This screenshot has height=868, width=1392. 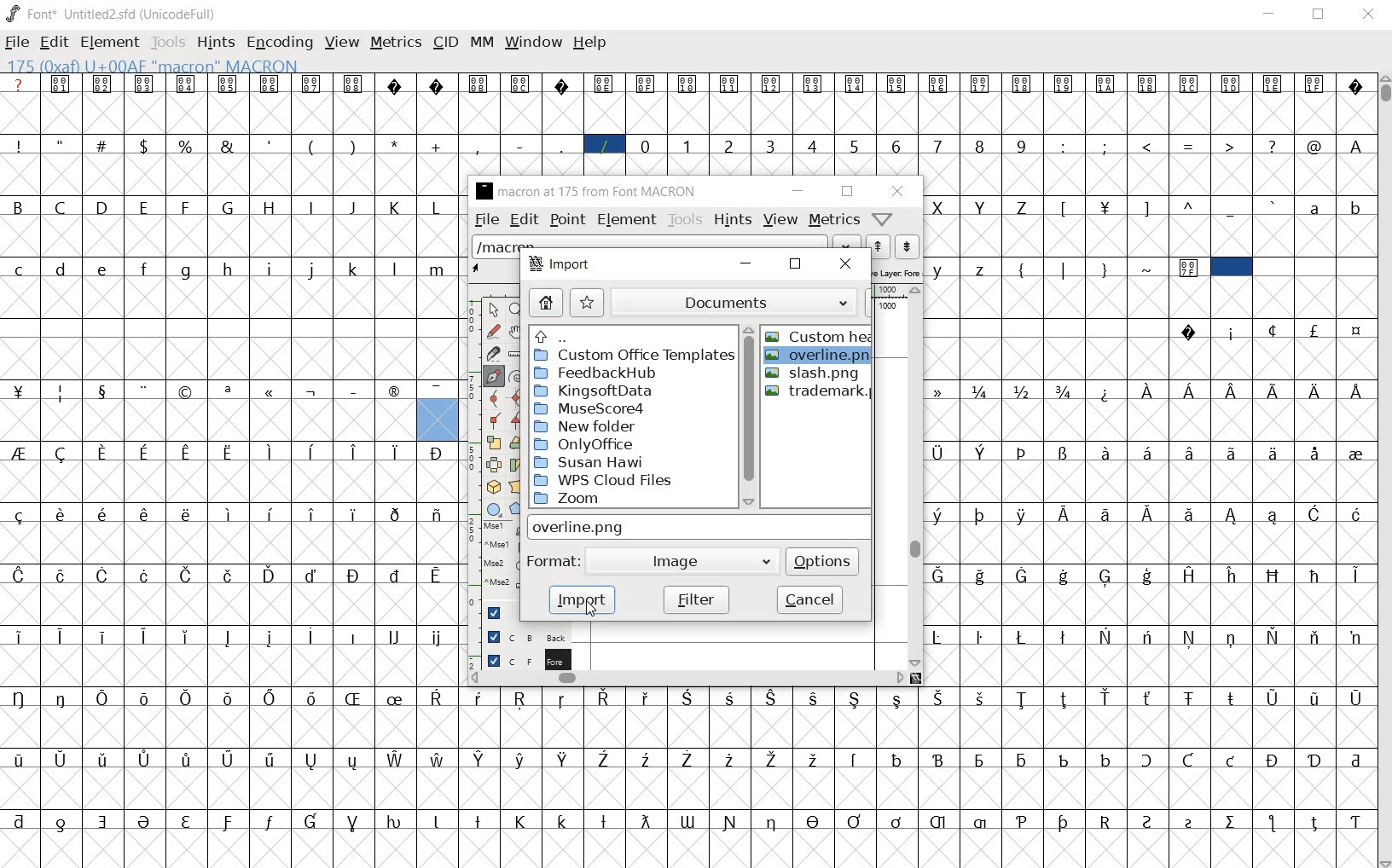 I want to click on ~, so click(x=1149, y=266).